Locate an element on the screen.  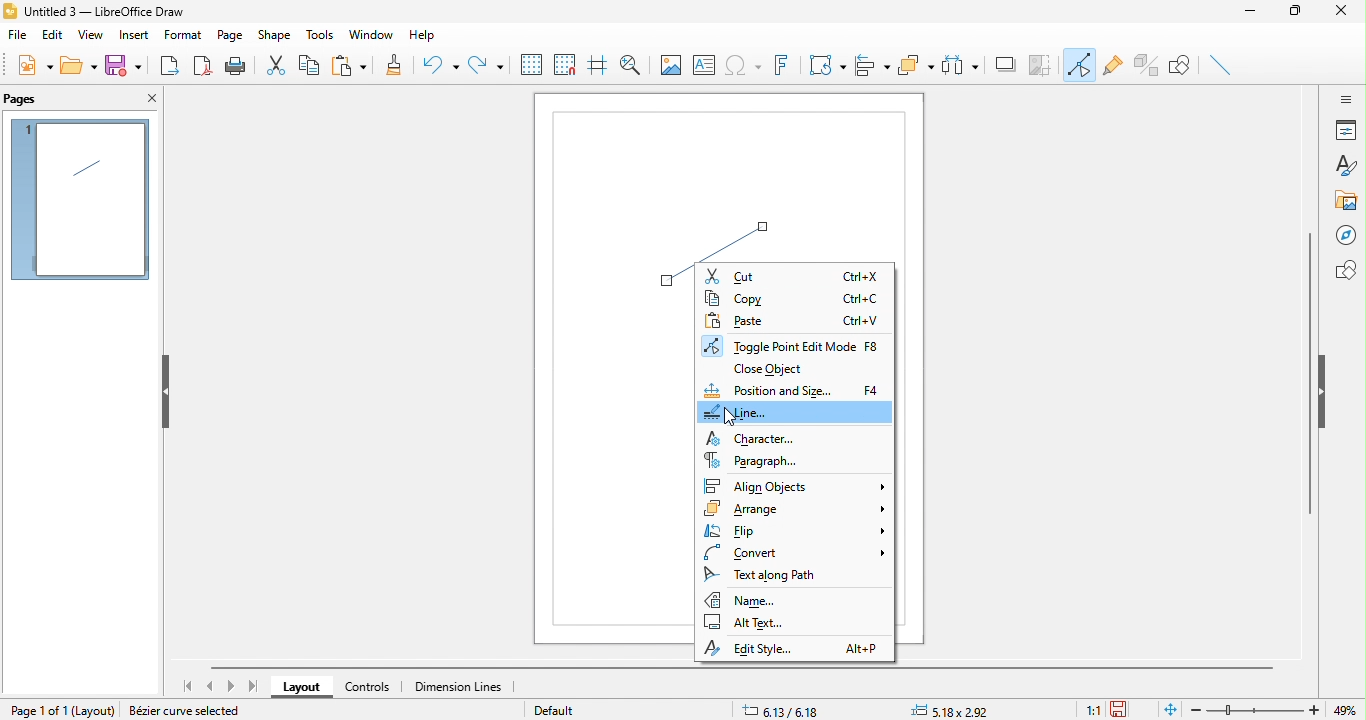
layout is located at coordinates (94, 711).